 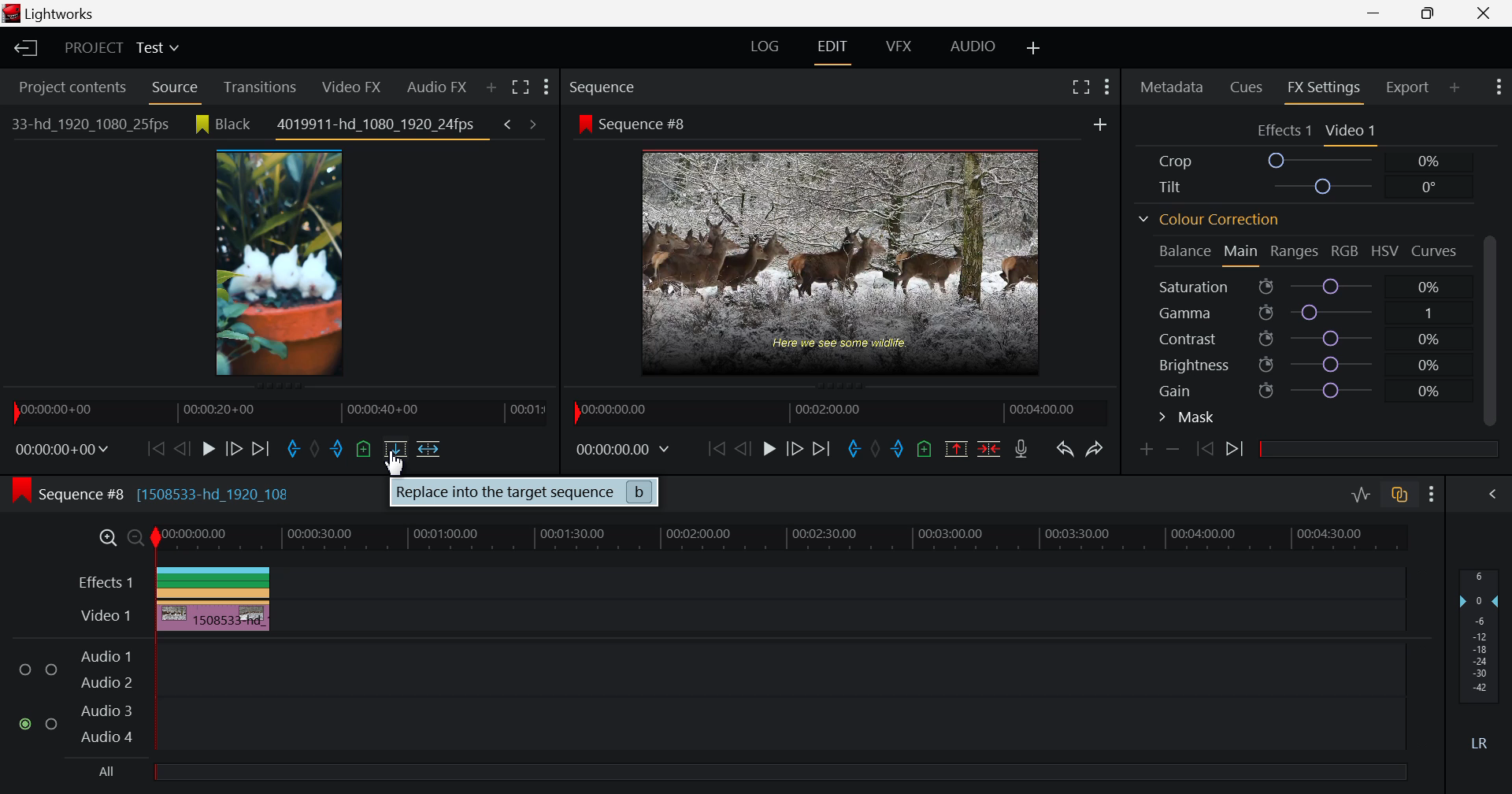 What do you see at coordinates (1308, 391) in the screenshot?
I see `Gain` at bounding box center [1308, 391].